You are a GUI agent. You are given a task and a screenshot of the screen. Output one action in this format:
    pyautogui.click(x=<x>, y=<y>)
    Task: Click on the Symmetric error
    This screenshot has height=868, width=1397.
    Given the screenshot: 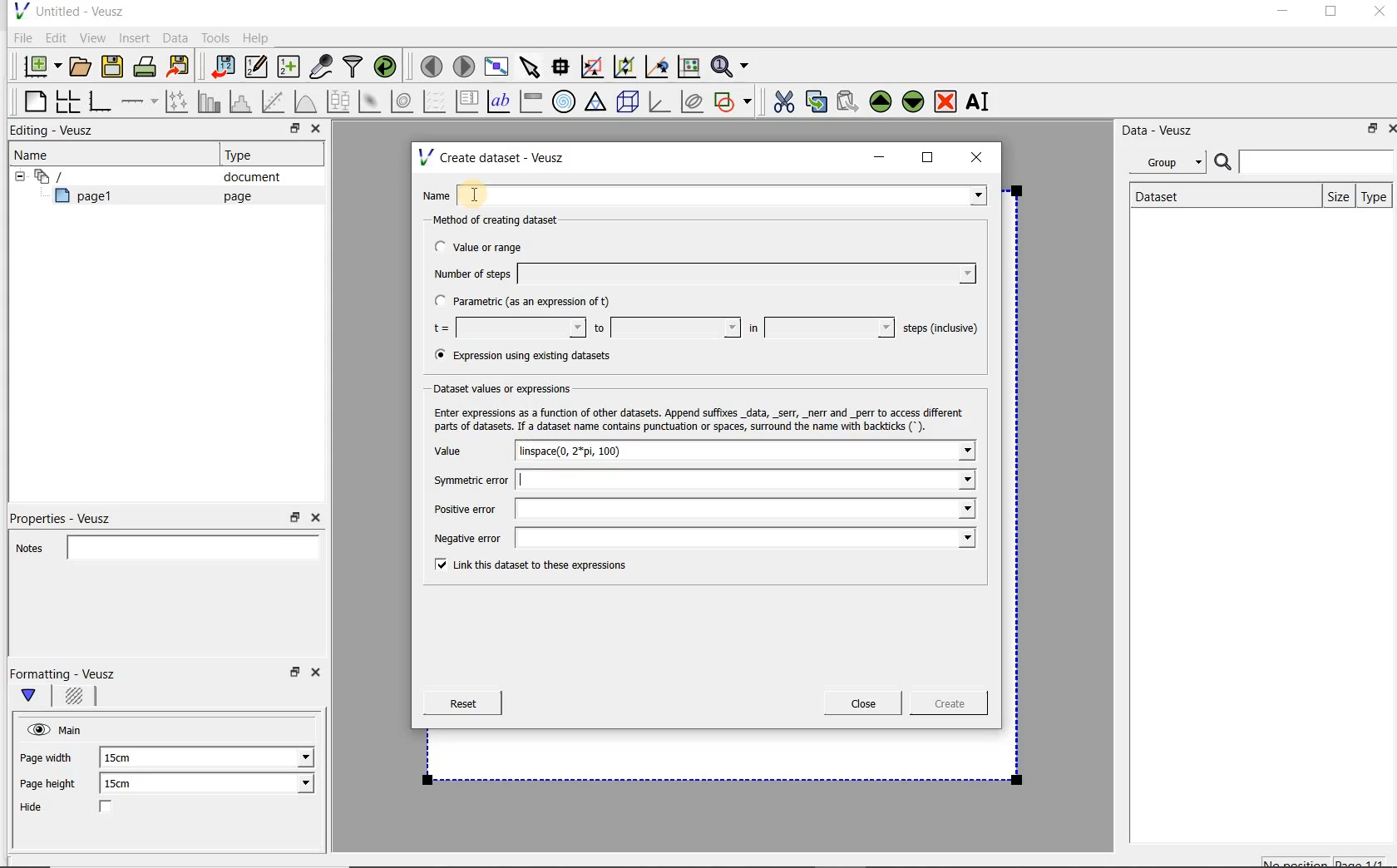 What is the action you would take?
    pyautogui.click(x=698, y=480)
    